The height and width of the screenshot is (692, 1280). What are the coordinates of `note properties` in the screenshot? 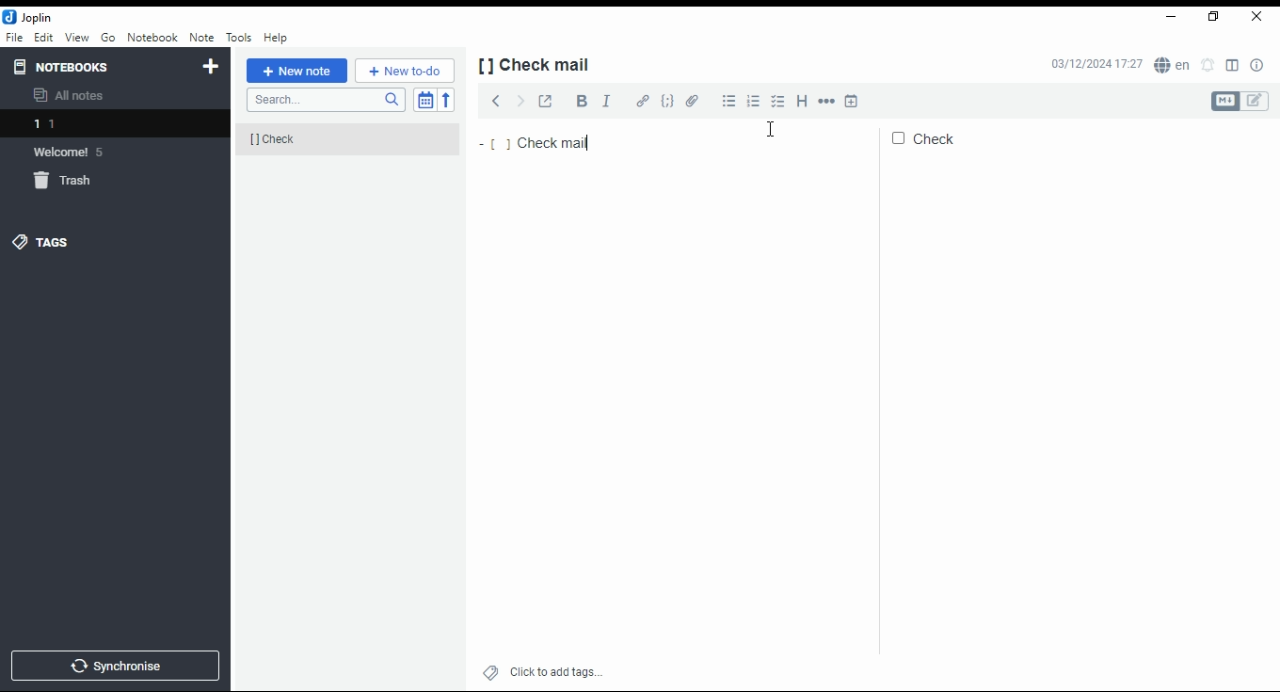 It's located at (1257, 65).